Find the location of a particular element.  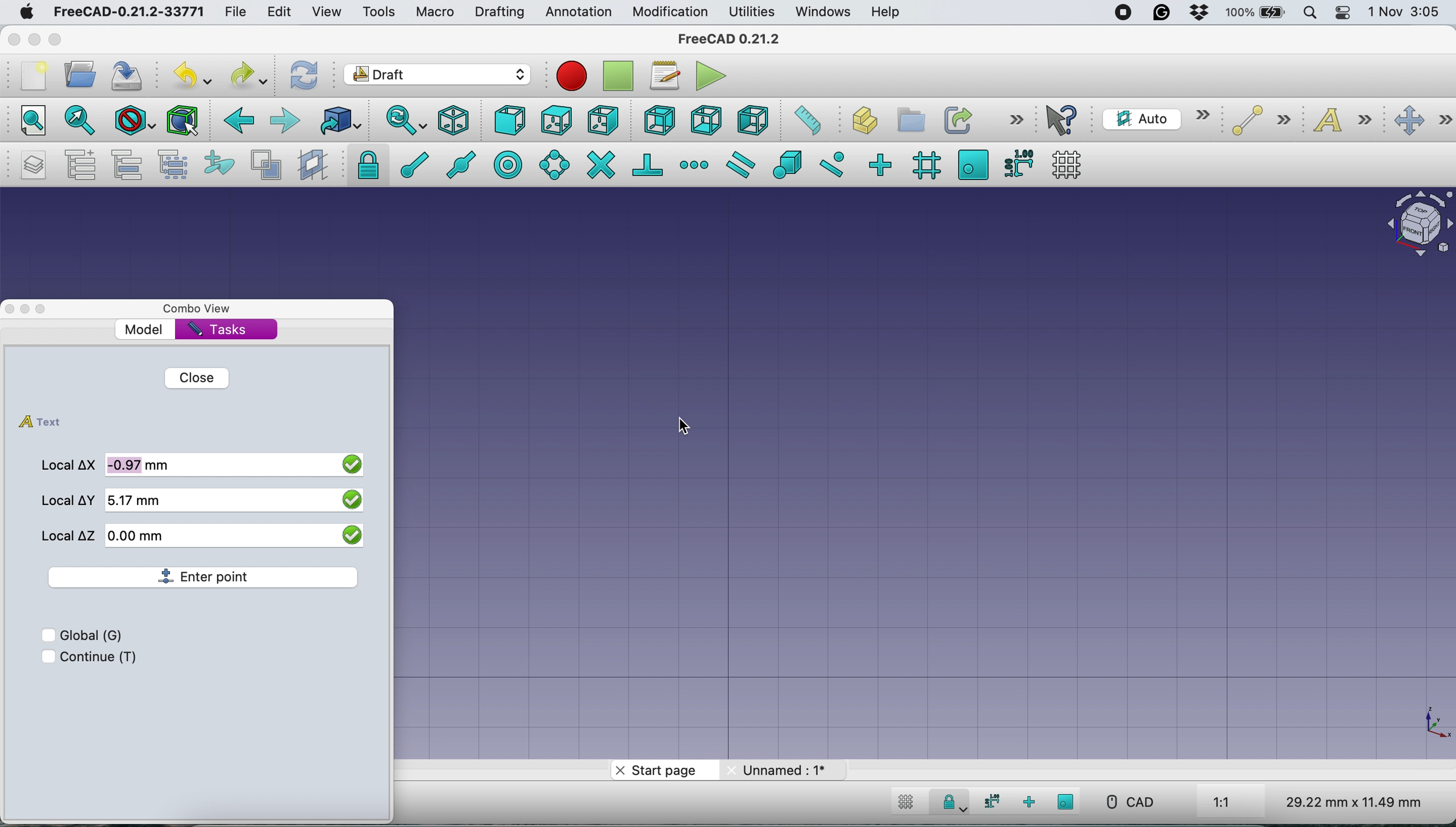

cad is located at coordinates (1135, 804).